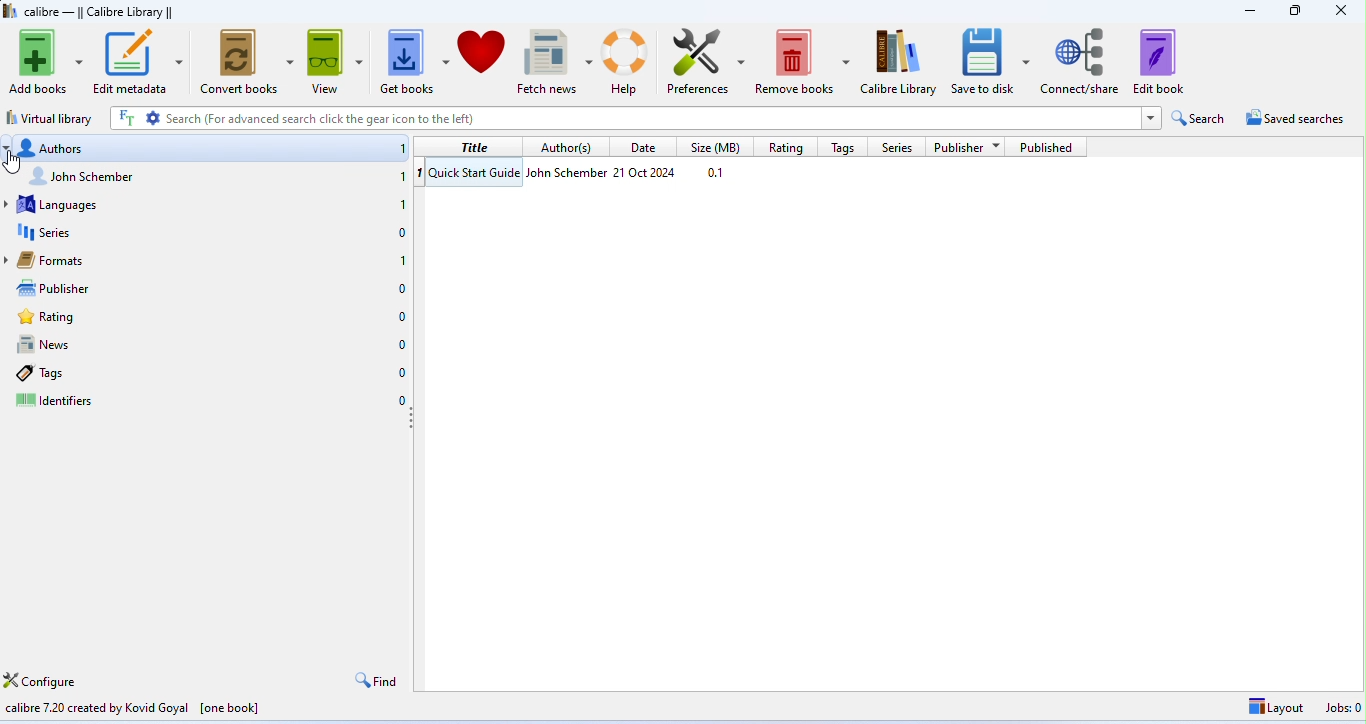 The width and height of the screenshot is (1366, 724). What do you see at coordinates (9, 260) in the screenshot?
I see `expand formats` at bounding box center [9, 260].